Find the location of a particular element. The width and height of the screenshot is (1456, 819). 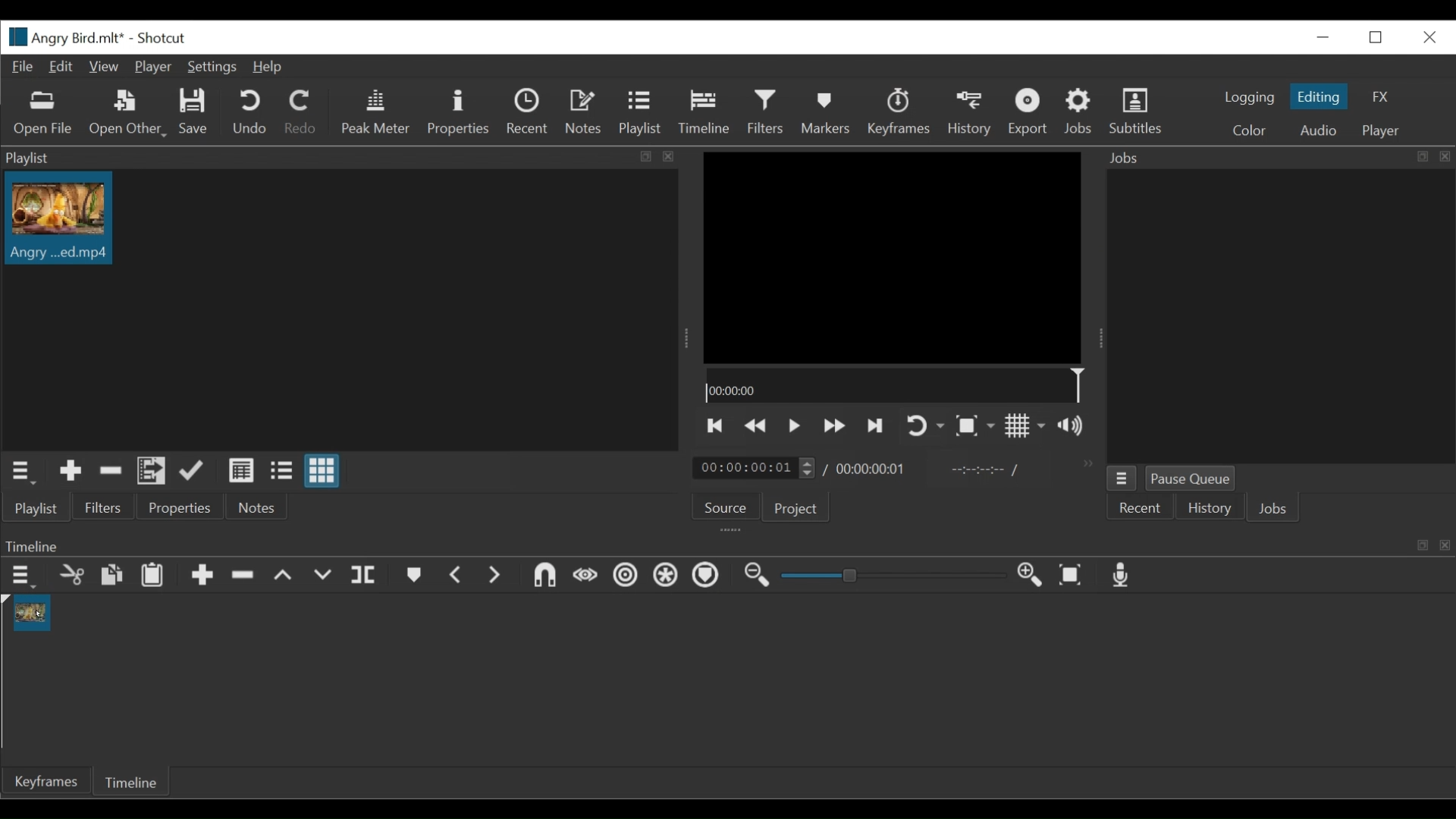

Open File is located at coordinates (46, 114).